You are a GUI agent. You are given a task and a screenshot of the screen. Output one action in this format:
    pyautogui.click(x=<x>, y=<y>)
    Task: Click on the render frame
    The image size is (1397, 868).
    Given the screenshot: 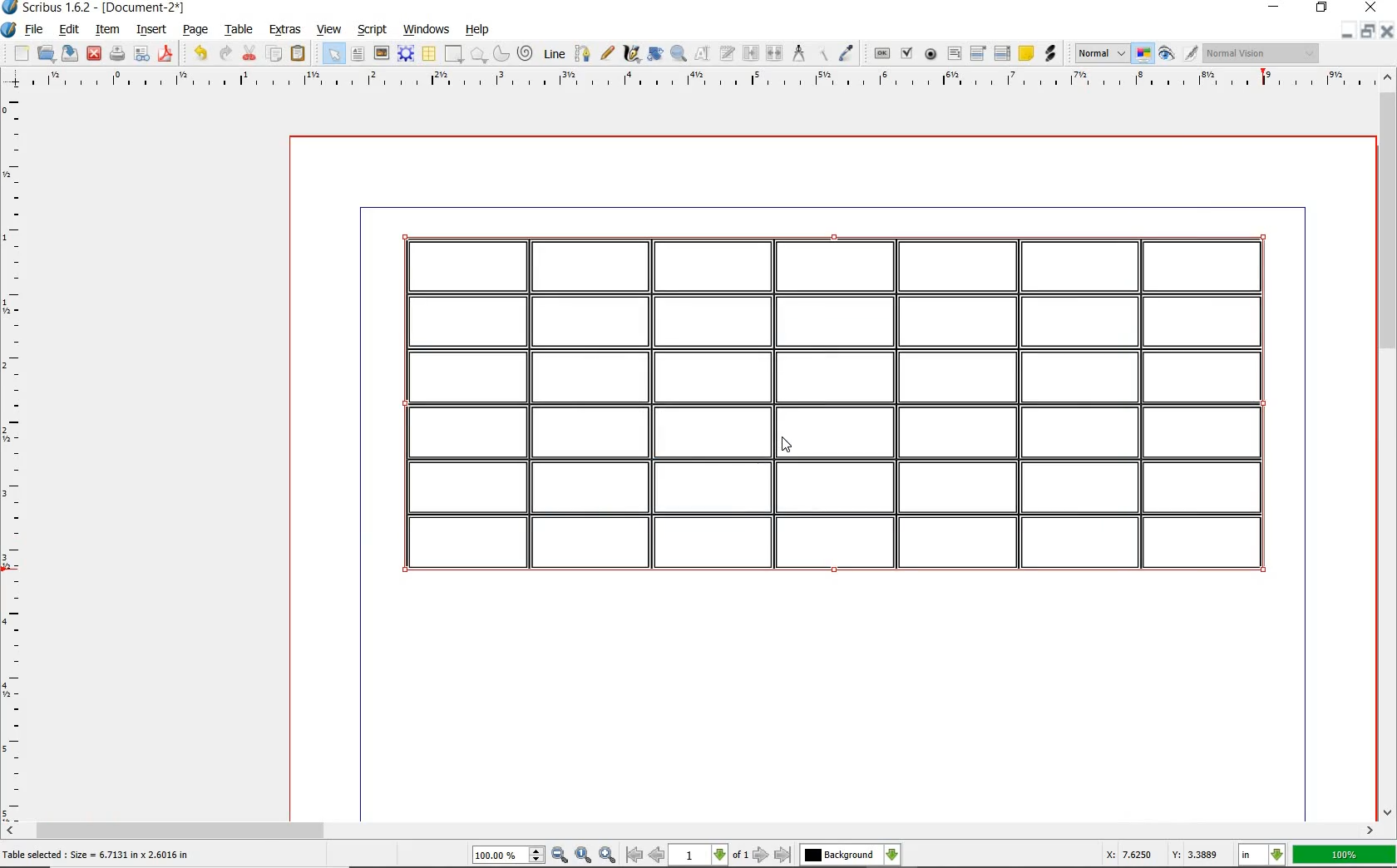 What is the action you would take?
    pyautogui.click(x=406, y=55)
    